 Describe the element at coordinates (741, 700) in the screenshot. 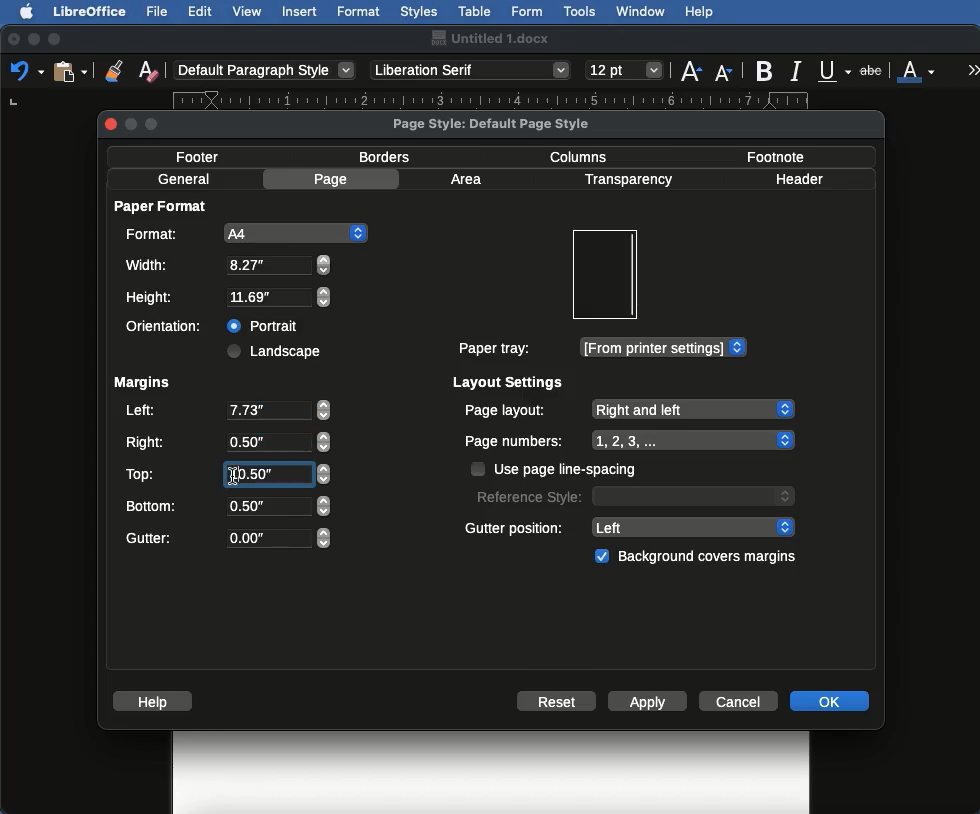

I see `Cancel` at that location.